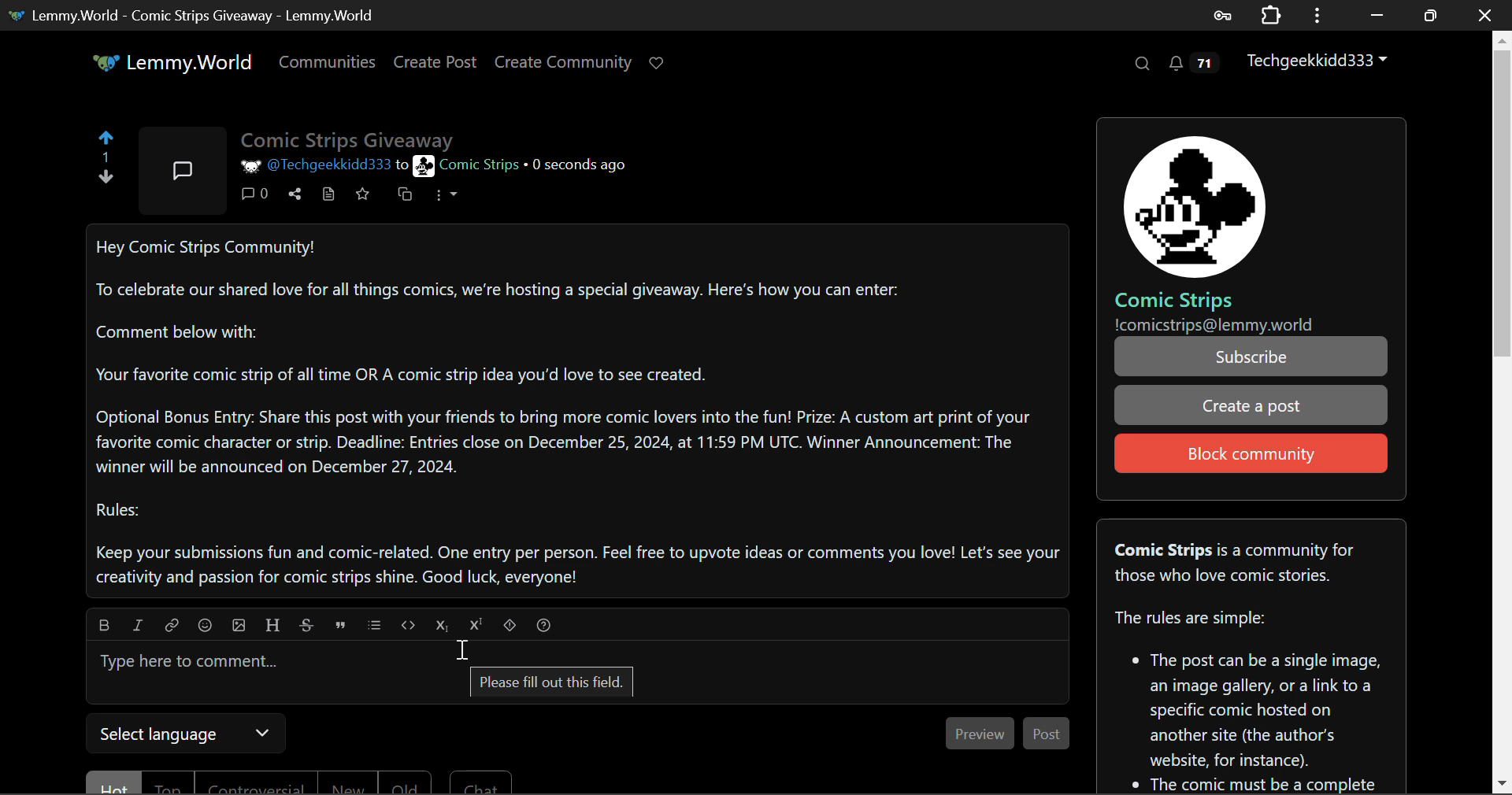  I want to click on bold, so click(105, 624).